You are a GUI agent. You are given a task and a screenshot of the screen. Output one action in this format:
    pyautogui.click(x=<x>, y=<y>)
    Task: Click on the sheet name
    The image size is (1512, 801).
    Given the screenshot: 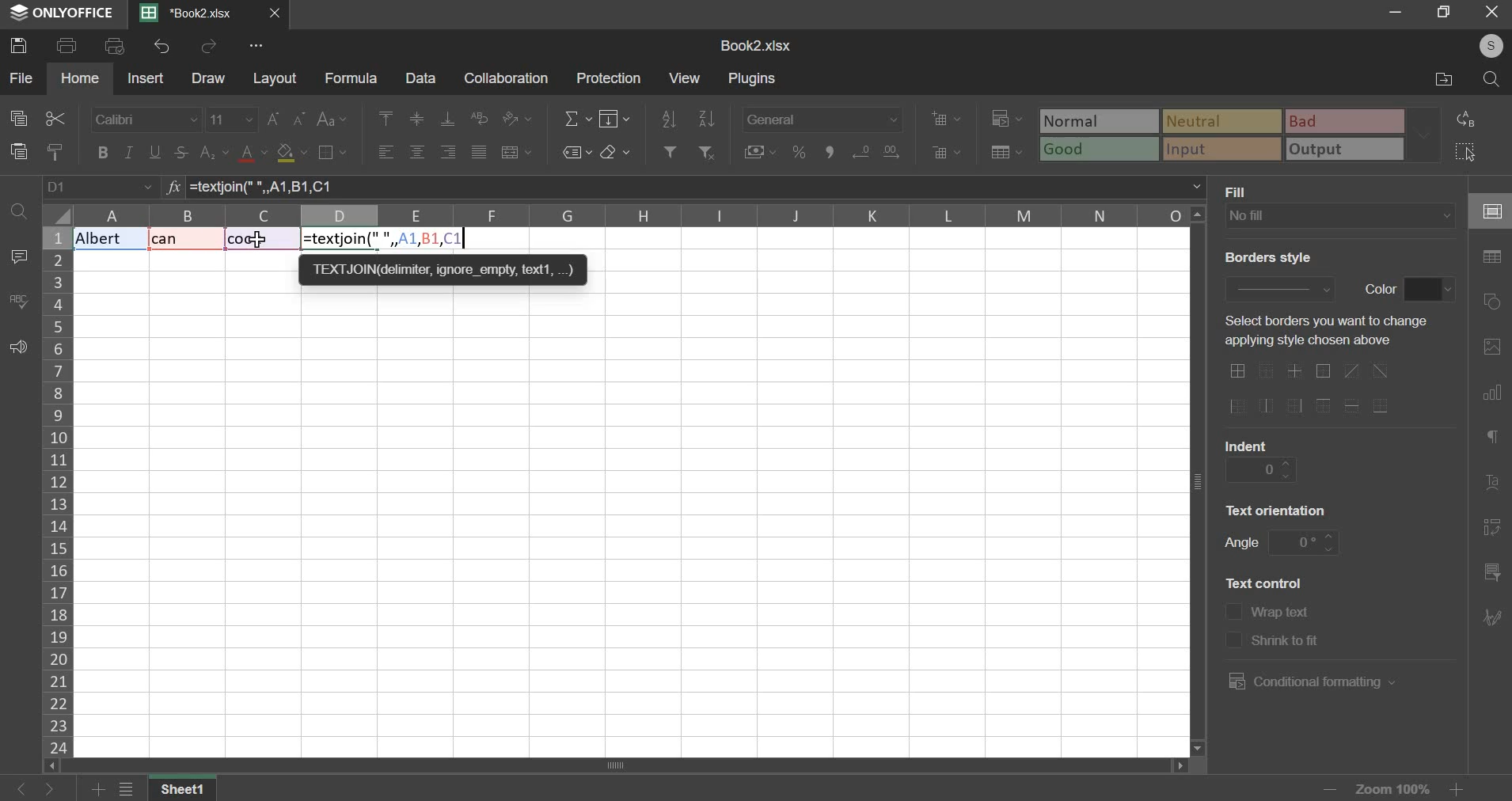 What is the action you would take?
    pyautogui.click(x=188, y=790)
    